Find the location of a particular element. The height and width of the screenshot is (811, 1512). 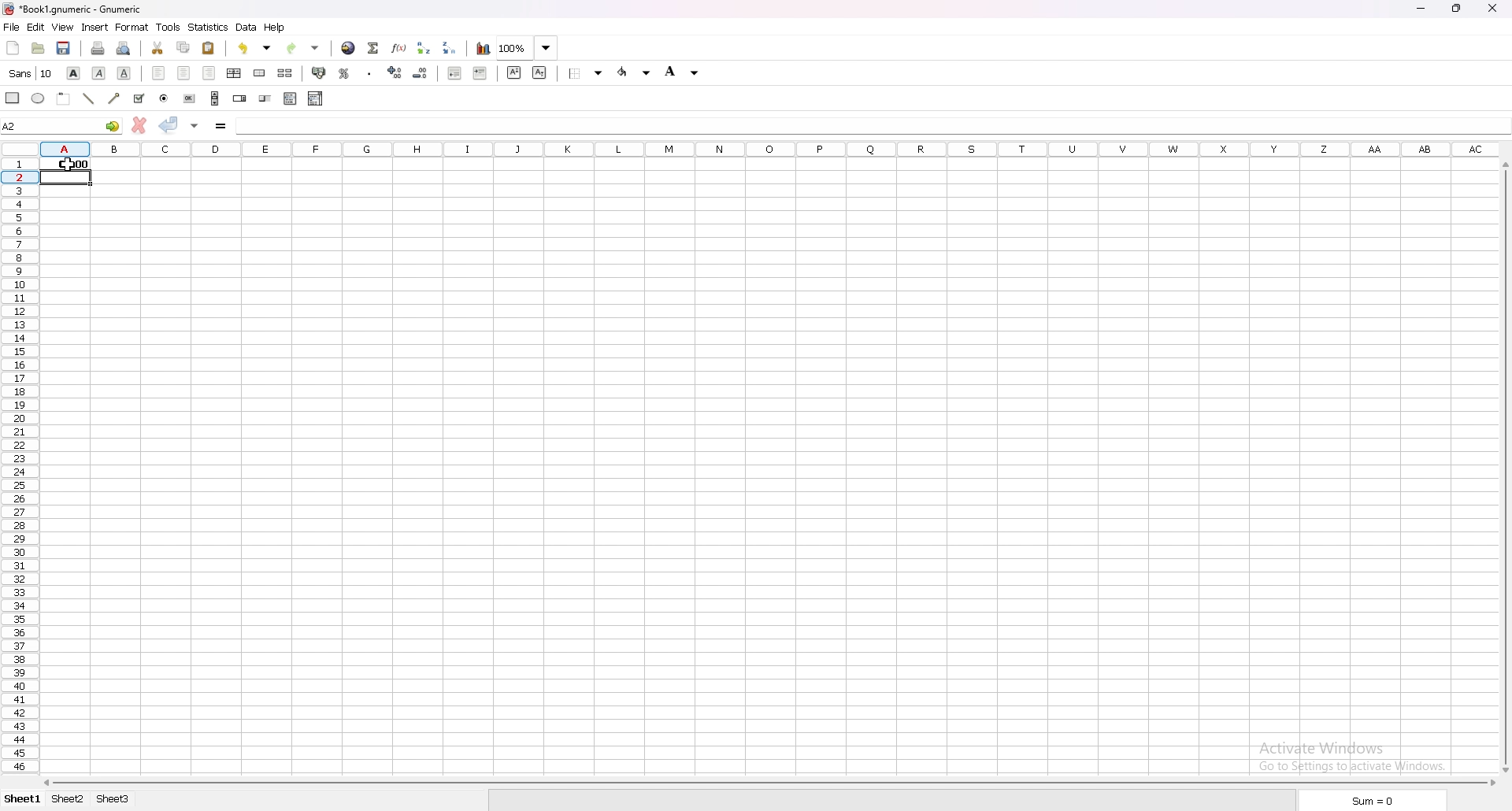

center horizontally is located at coordinates (234, 73).